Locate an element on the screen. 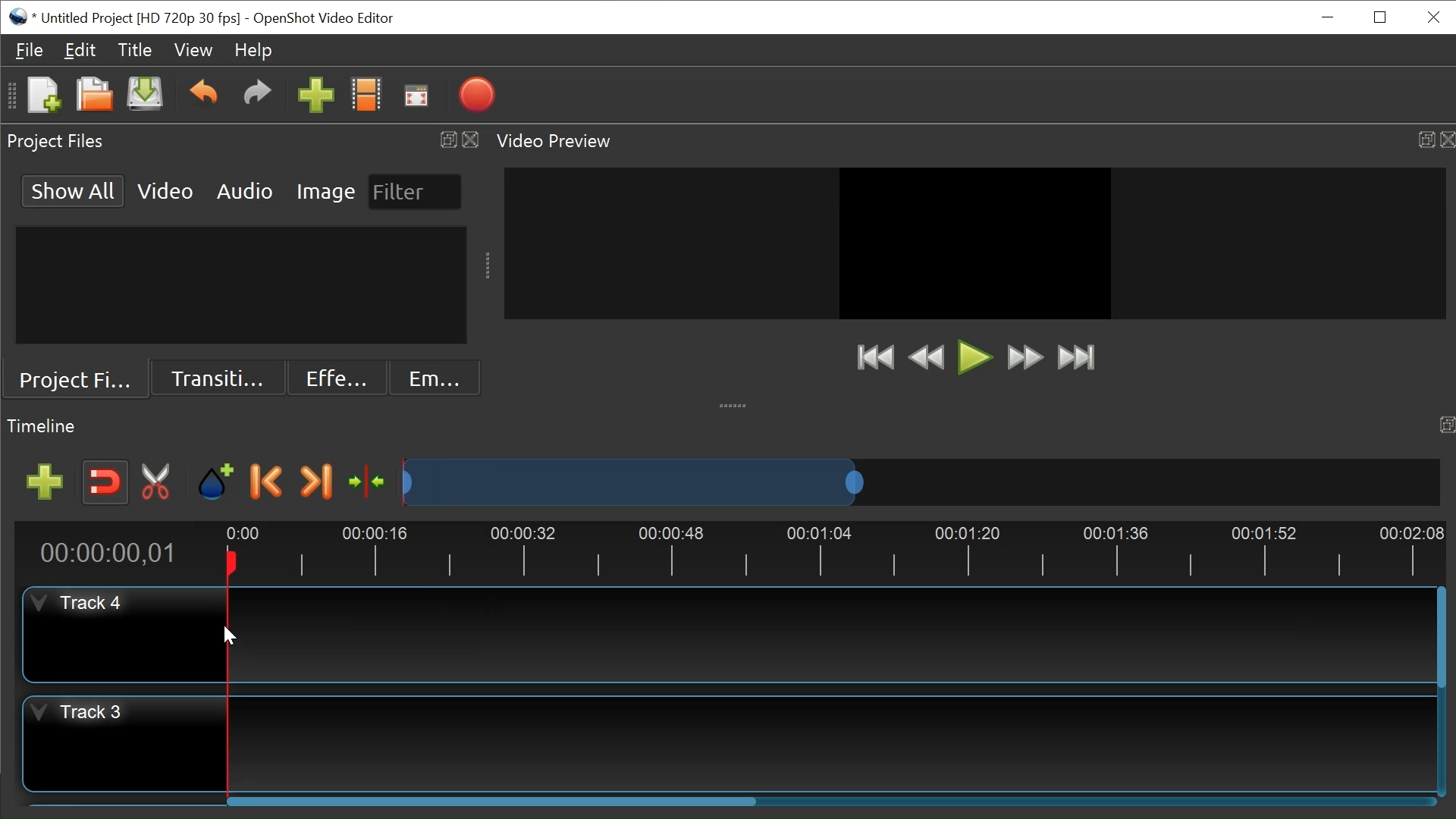 Image resolution: width=1456 pixels, height=819 pixels. New File is located at coordinates (42, 96).